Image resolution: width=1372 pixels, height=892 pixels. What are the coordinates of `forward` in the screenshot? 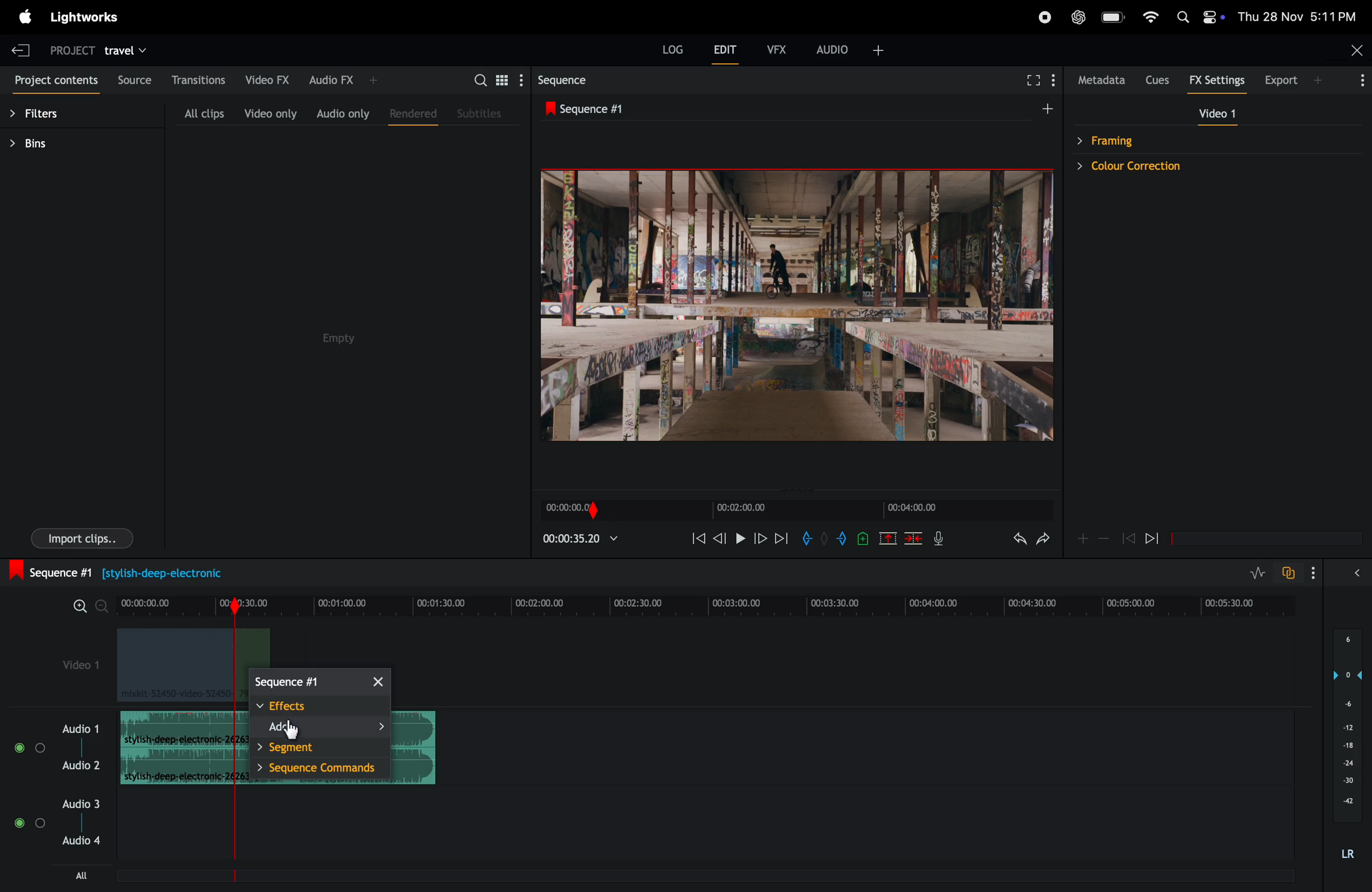 It's located at (1158, 538).